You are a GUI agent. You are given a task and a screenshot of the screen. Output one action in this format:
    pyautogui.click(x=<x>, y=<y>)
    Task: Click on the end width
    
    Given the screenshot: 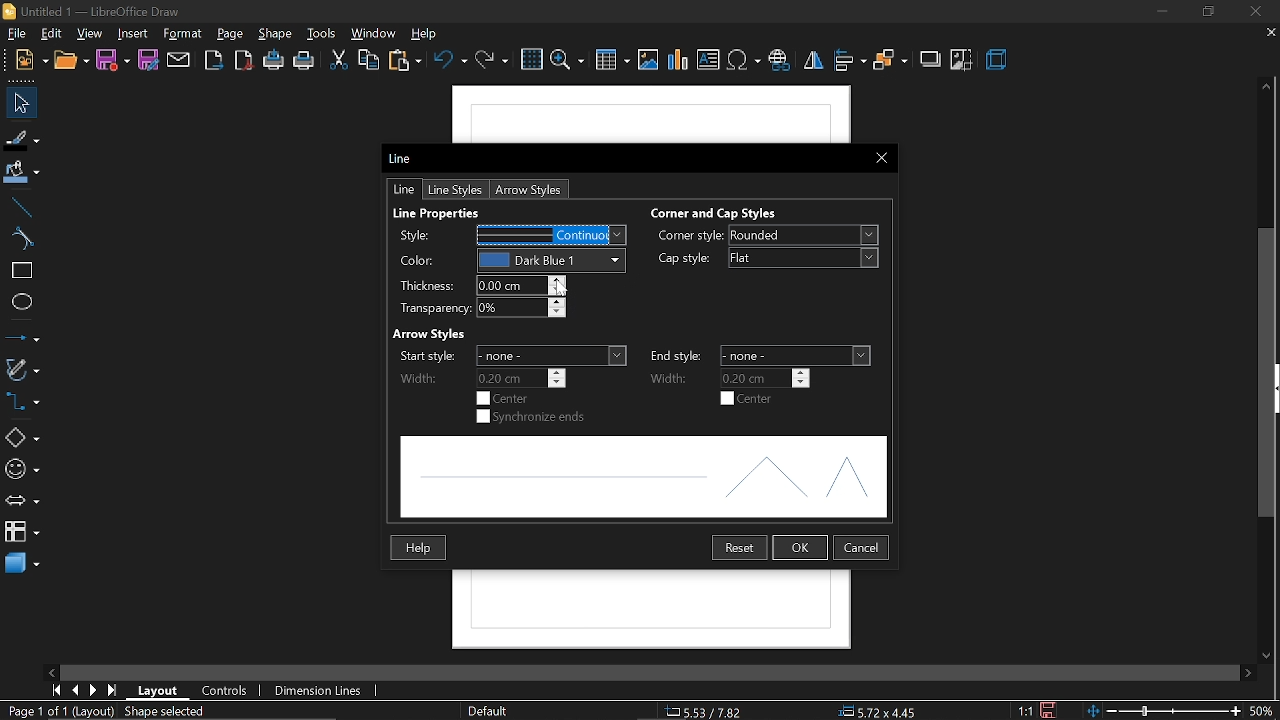 What is the action you would take?
    pyautogui.click(x=766, y=377)
    